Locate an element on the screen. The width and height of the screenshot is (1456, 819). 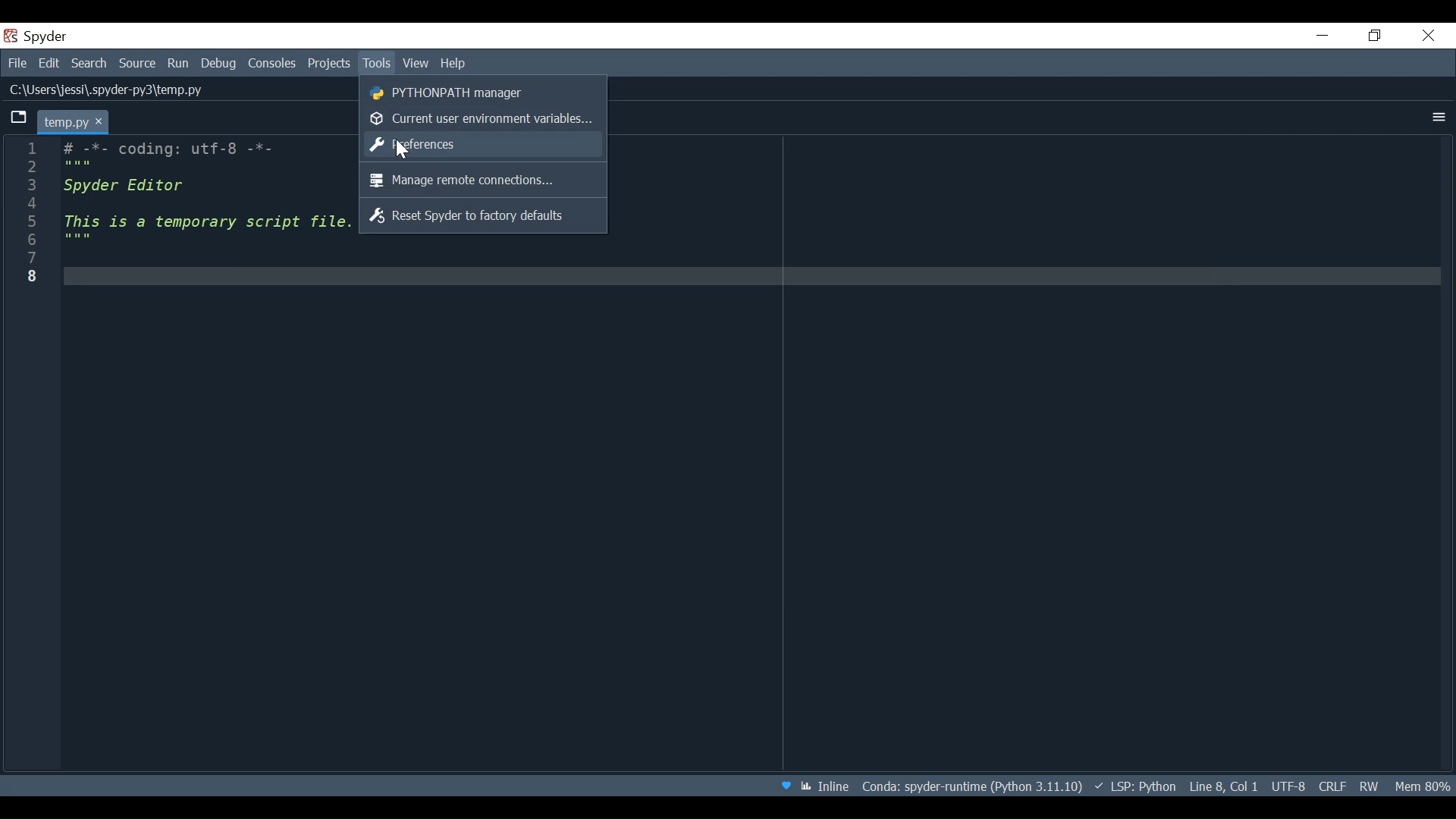
Conda Environment Indicator is located at coordinates (970, 786).